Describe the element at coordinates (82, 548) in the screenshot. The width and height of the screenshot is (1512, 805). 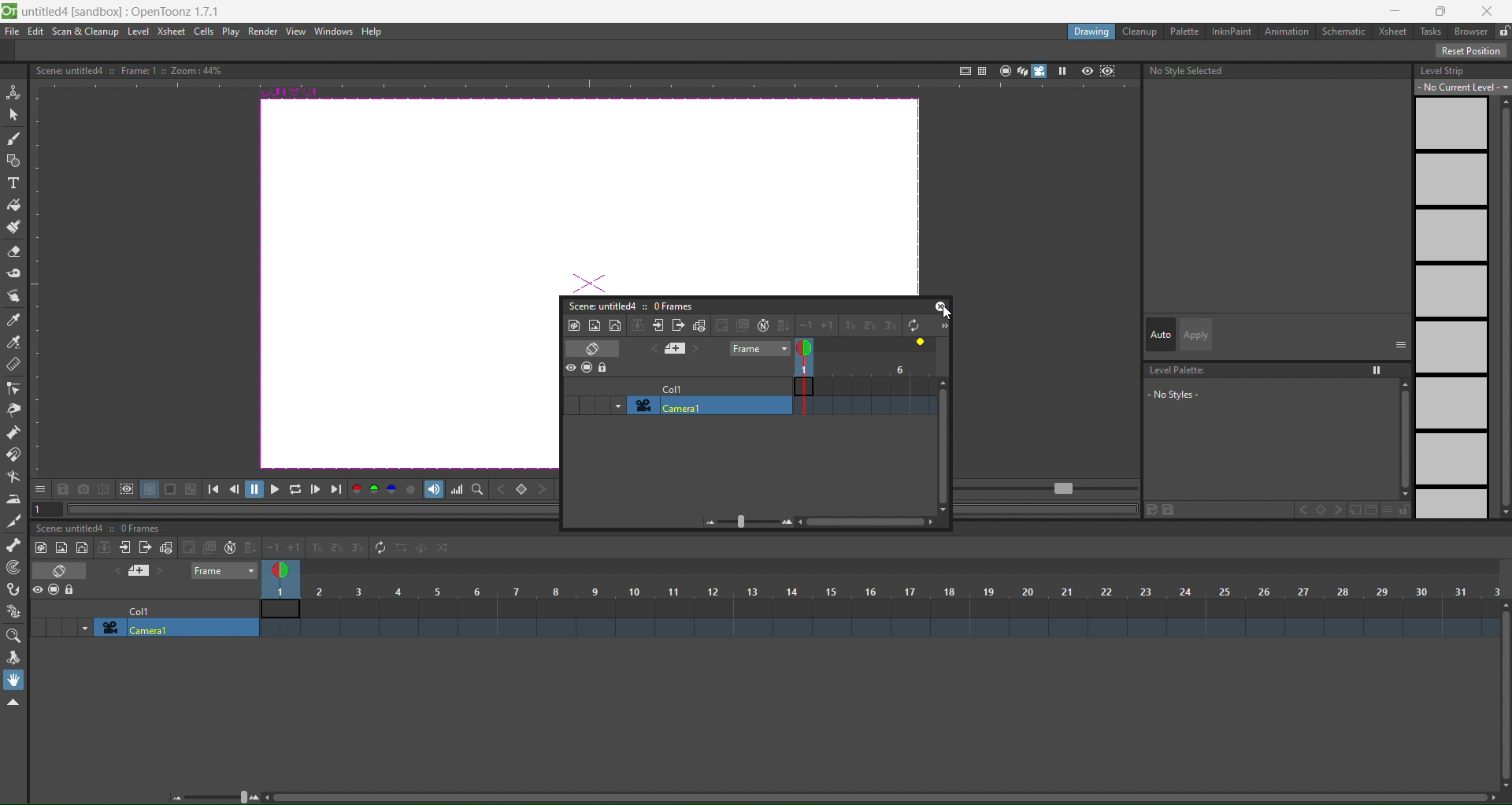
I see `new vector level` at that location.